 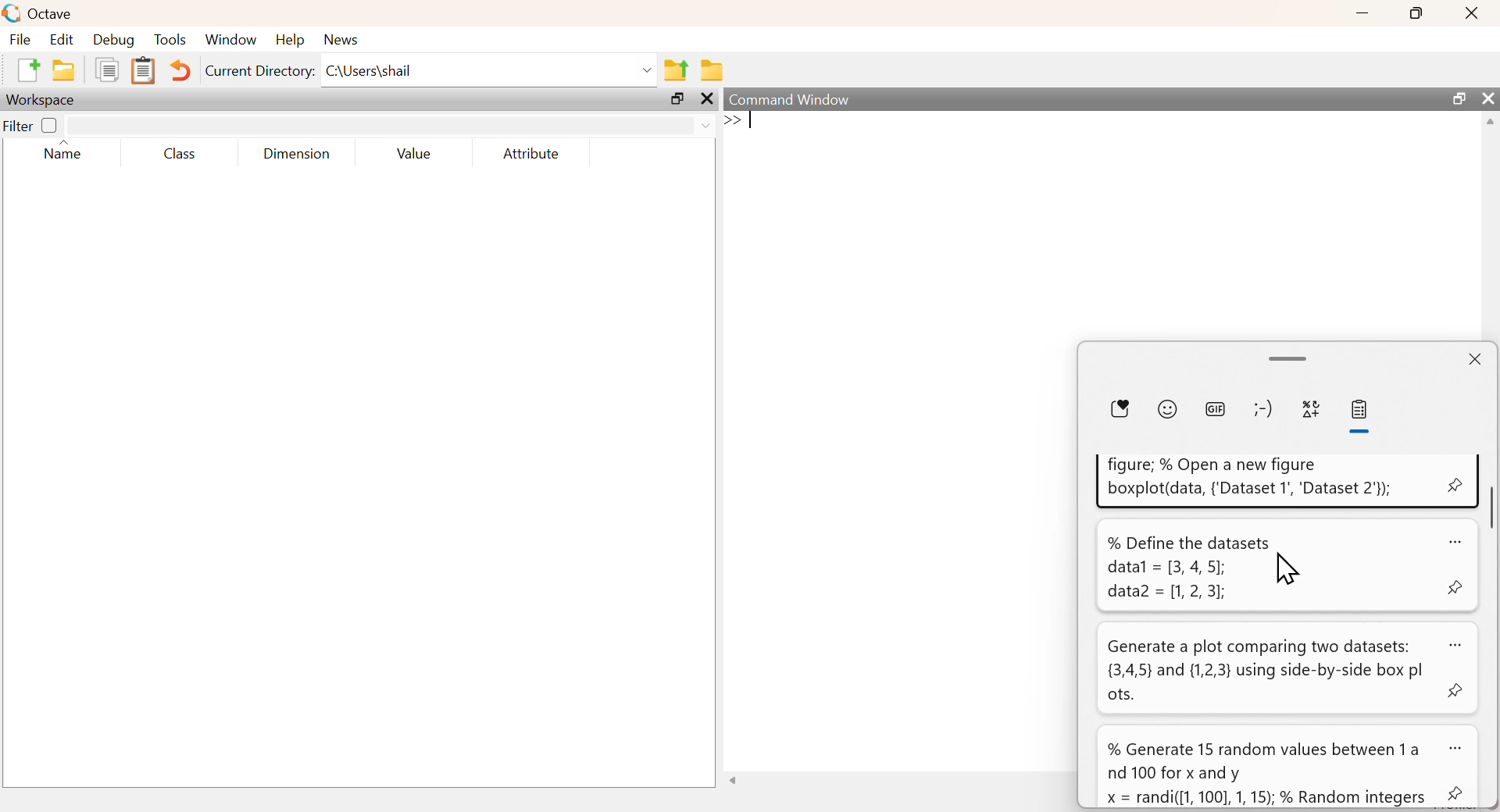 What do you see at coordinates (1312, 409) in the screenshot?
I see `special characters` at bounding box center [1312, 409].